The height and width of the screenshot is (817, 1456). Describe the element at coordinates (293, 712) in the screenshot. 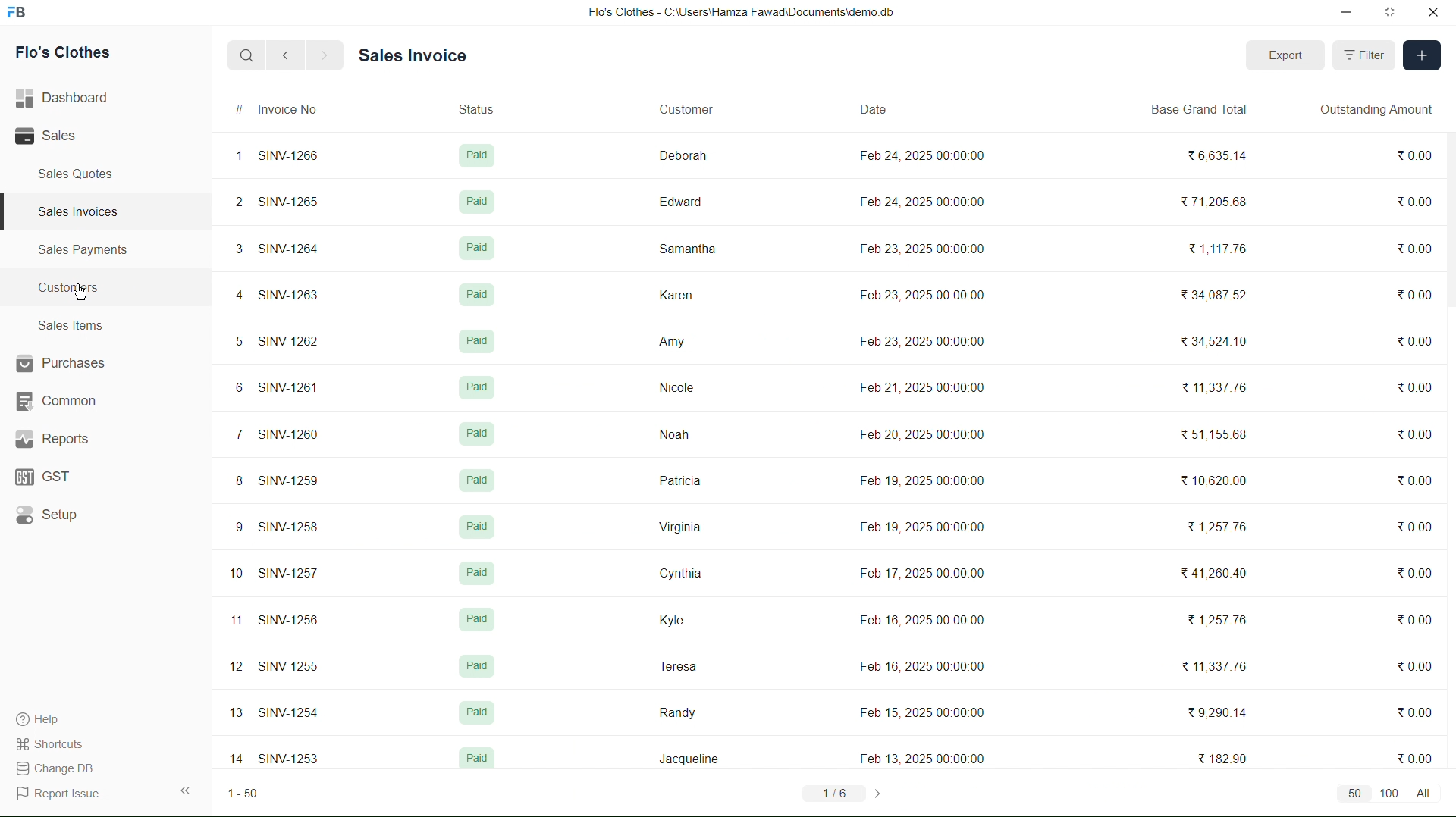

I see `SINV-1254` at that location.